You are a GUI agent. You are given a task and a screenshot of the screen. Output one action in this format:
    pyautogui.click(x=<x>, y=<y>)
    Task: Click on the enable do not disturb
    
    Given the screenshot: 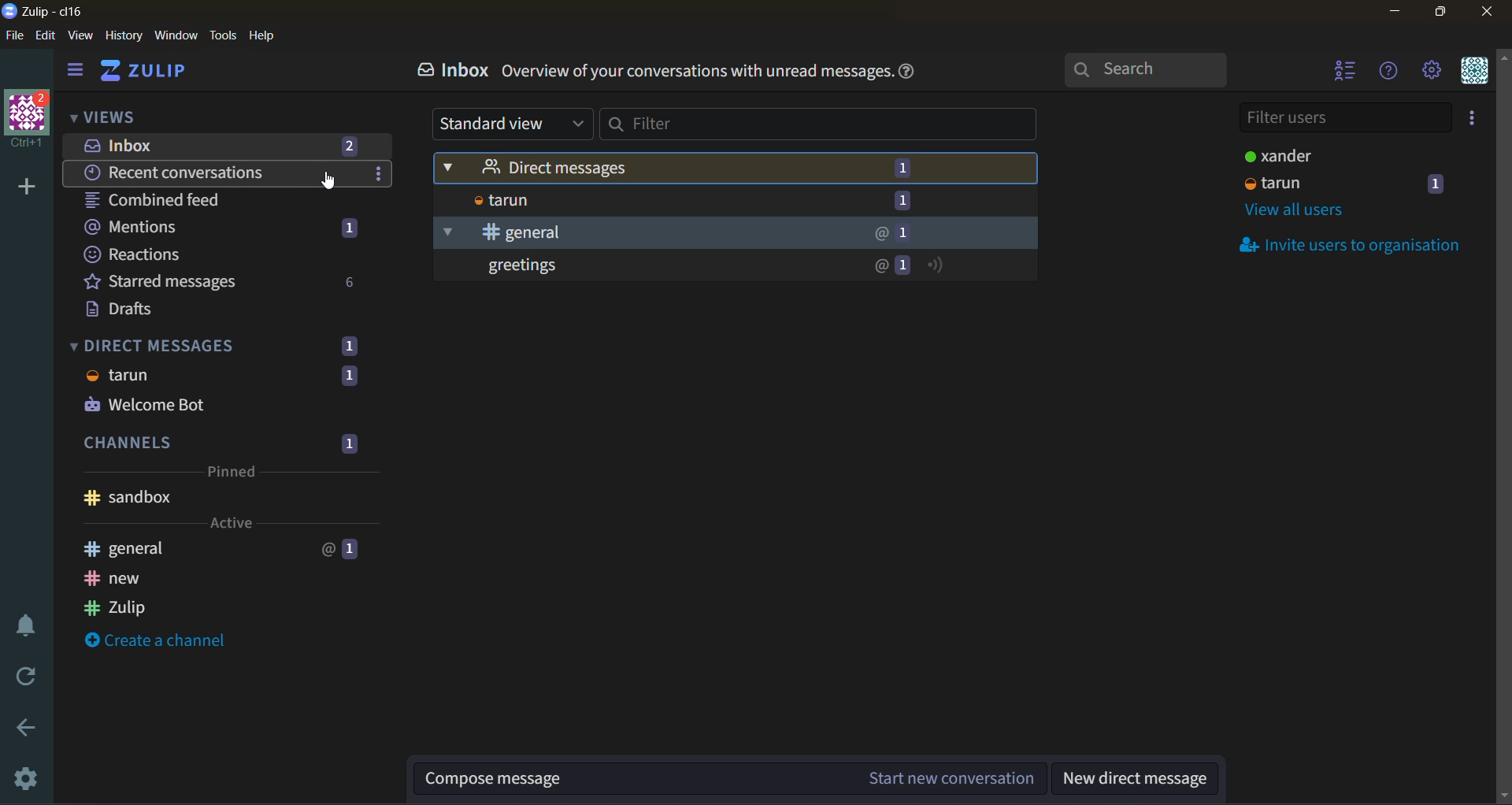 What is the action you would take?
    pyautogui.click(x=32, y=626)
    